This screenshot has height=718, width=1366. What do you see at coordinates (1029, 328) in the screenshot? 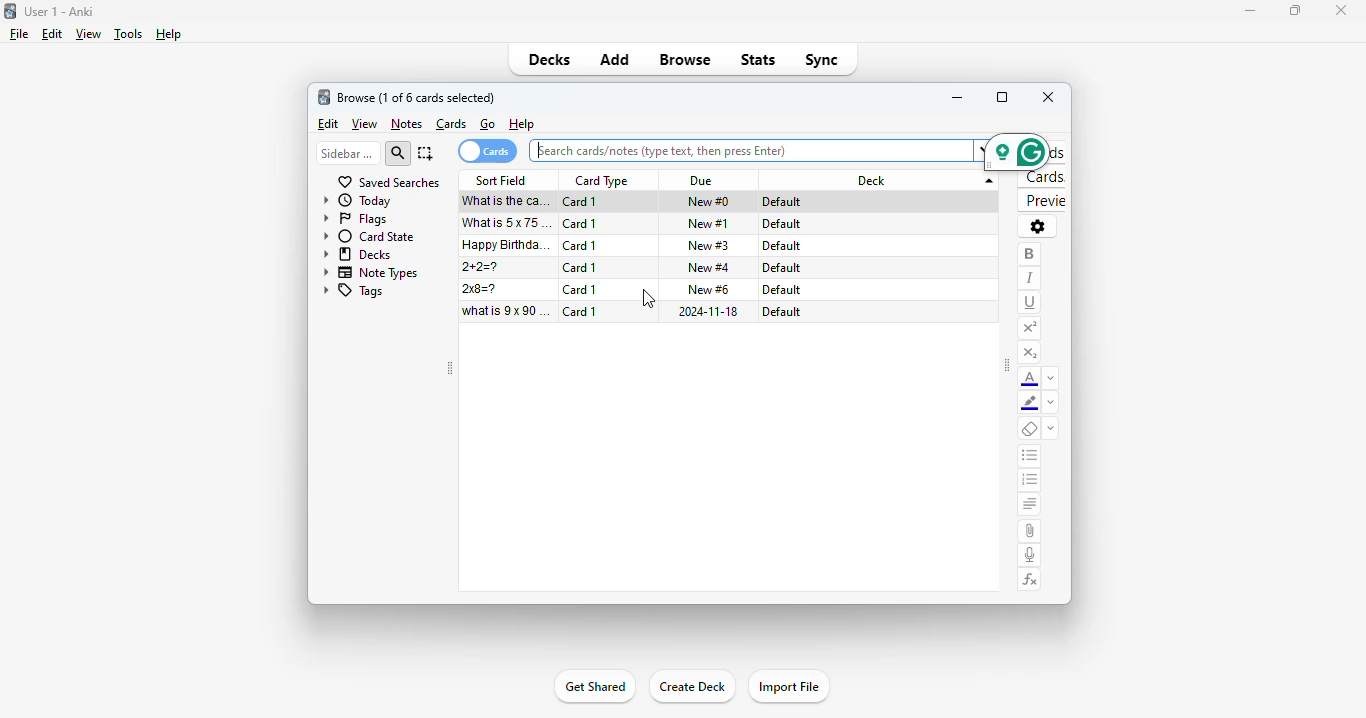
I see `superscript` at bounding box center [1029, 328].